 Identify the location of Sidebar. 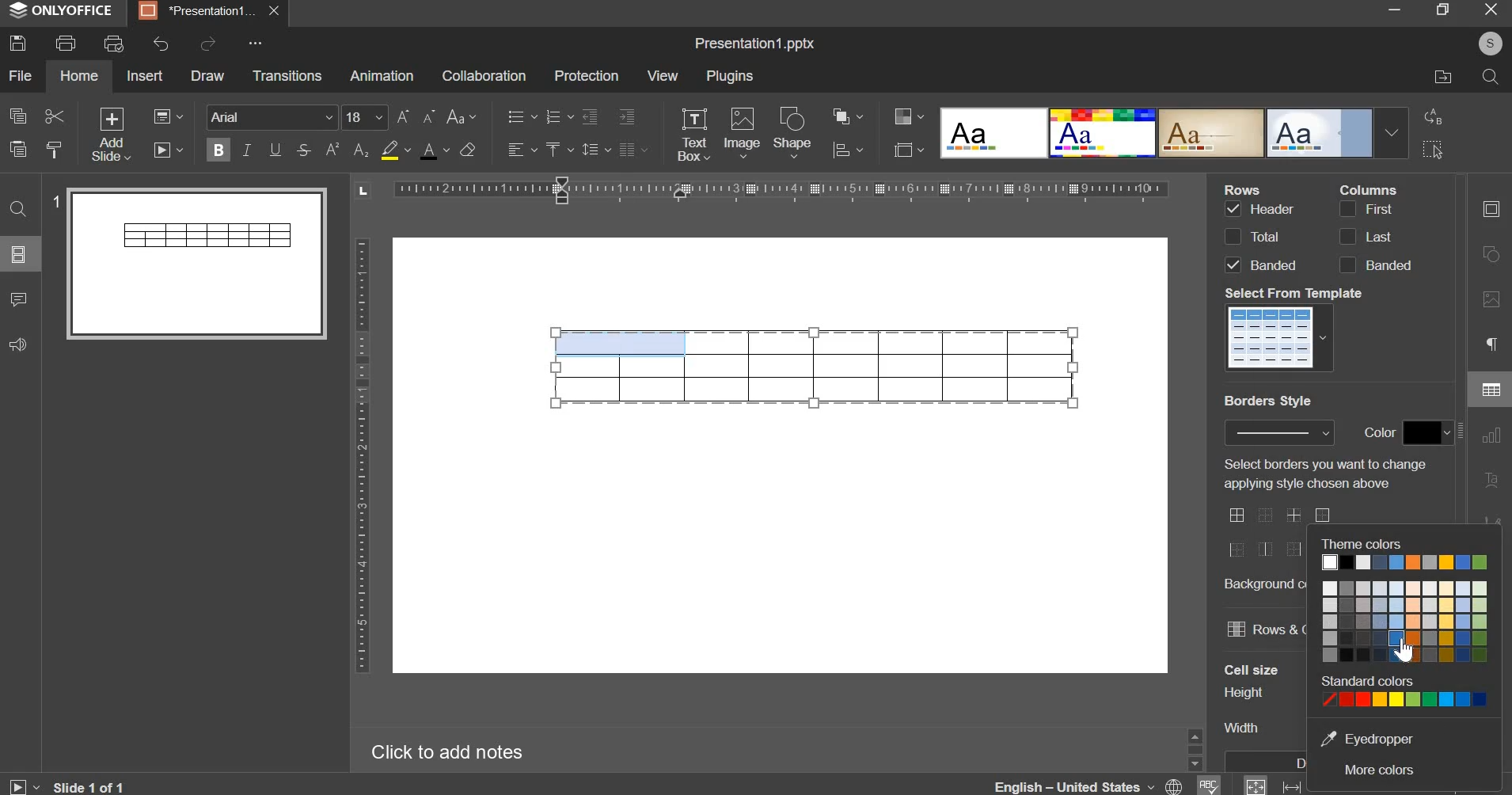
(1194, 747).